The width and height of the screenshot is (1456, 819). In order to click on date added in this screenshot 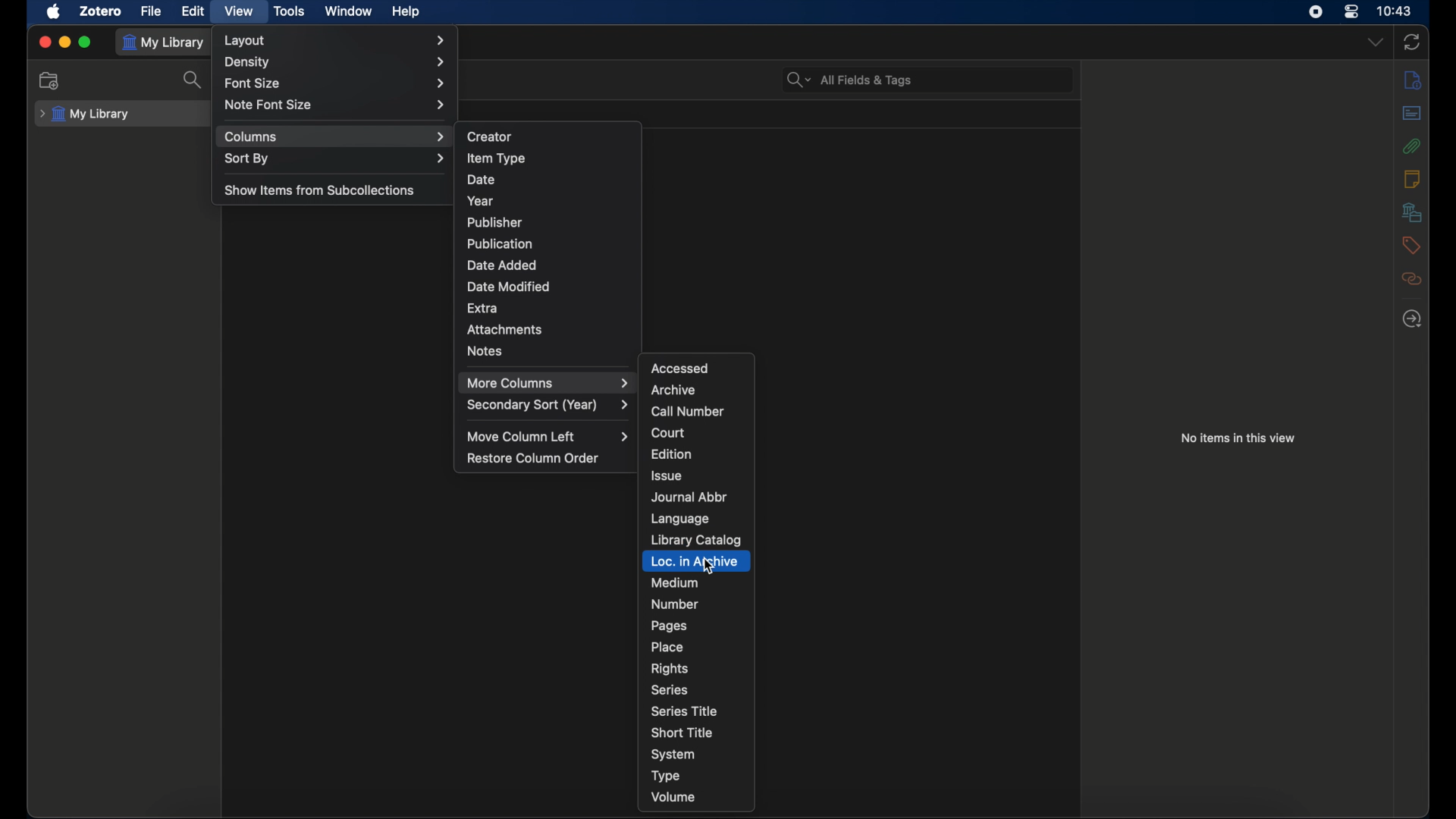, I will do `click(502, 265)`.